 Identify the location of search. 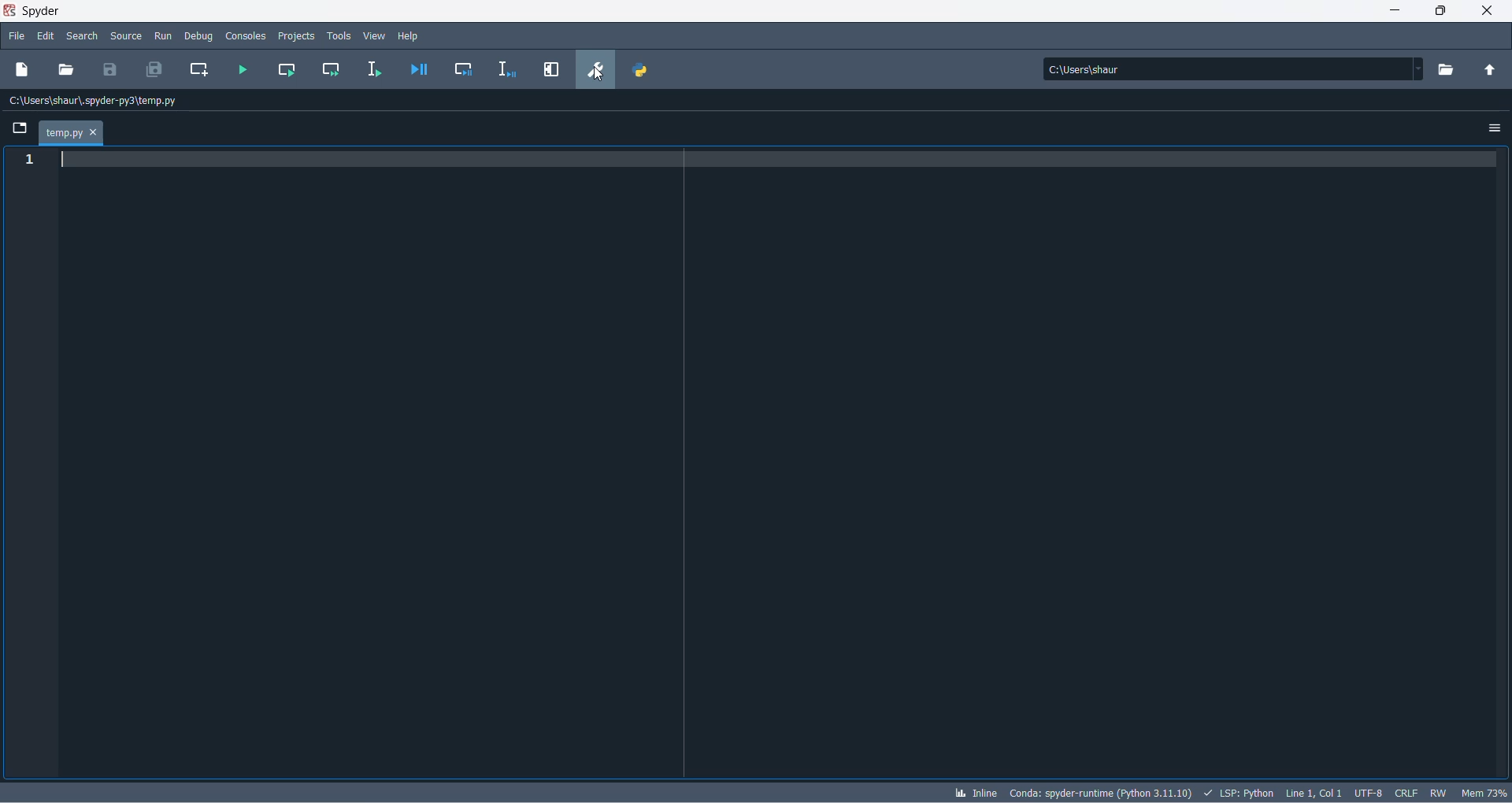
(82, 35).